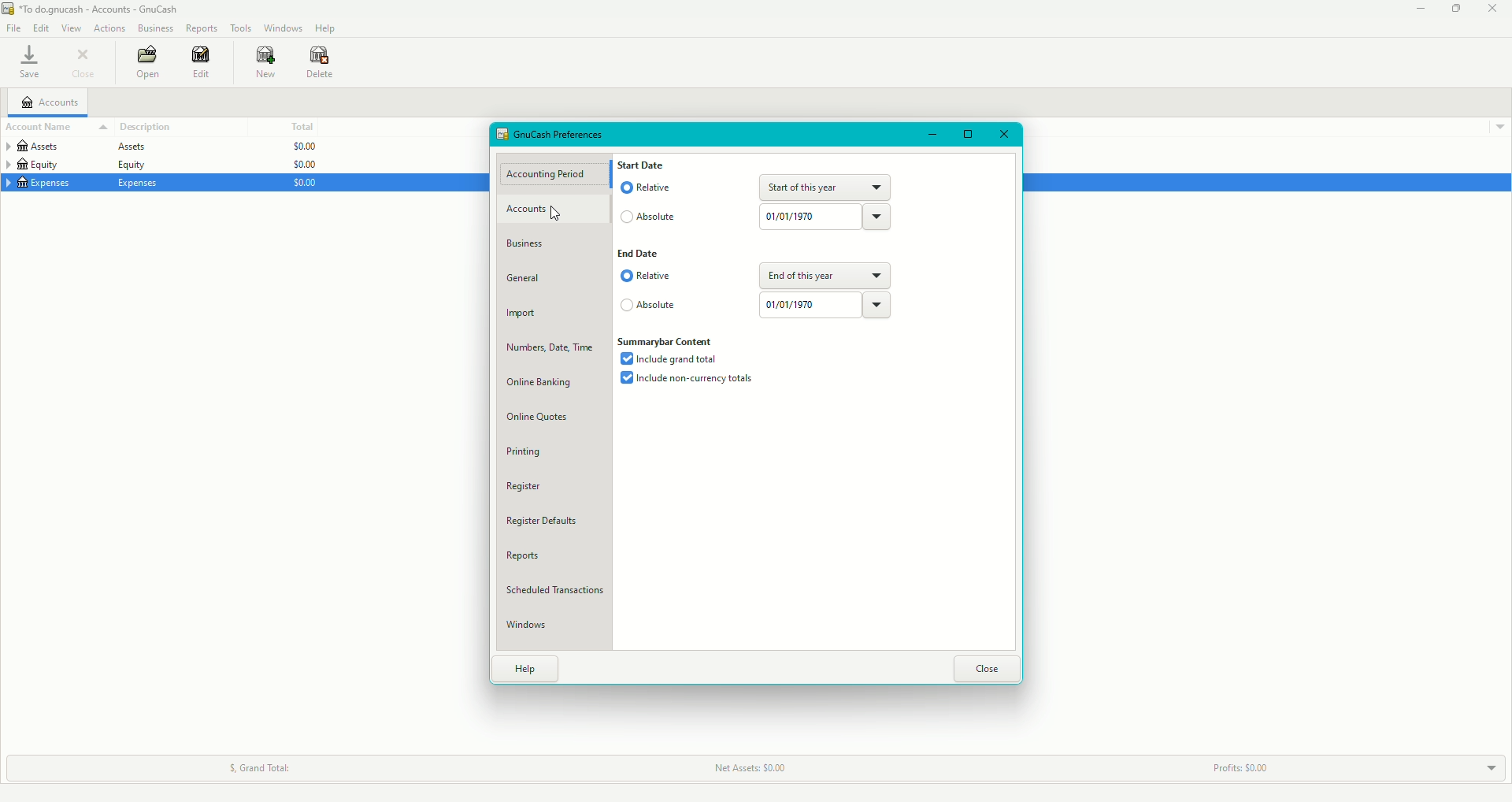 The width and height of the screenshot is (1512, 802). What do you see at coordinates (300, 126) in the screenshot?
I see `Total` at bounding box center [300, 126].